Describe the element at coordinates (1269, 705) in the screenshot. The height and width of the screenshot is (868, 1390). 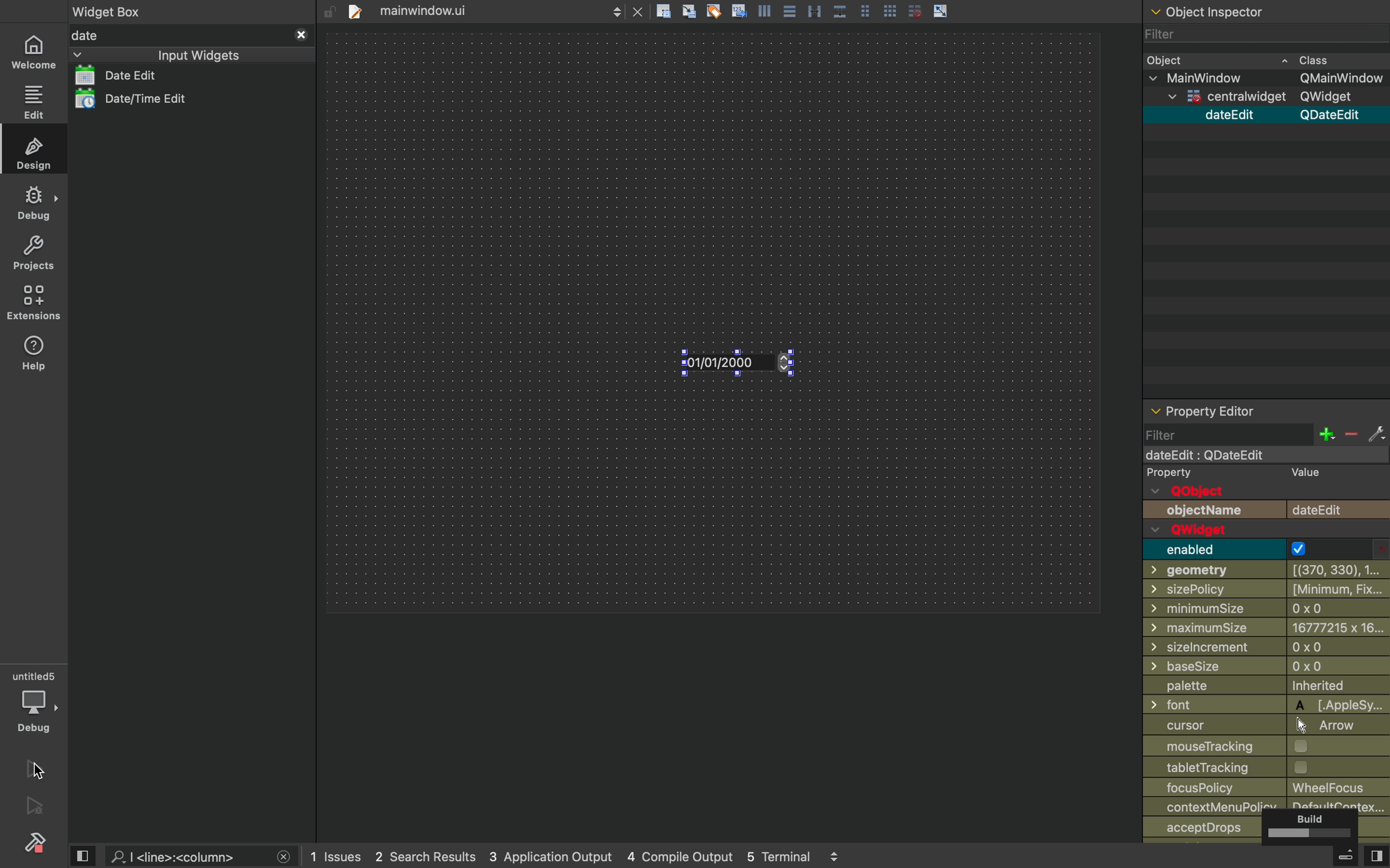
I see `font` at that location.